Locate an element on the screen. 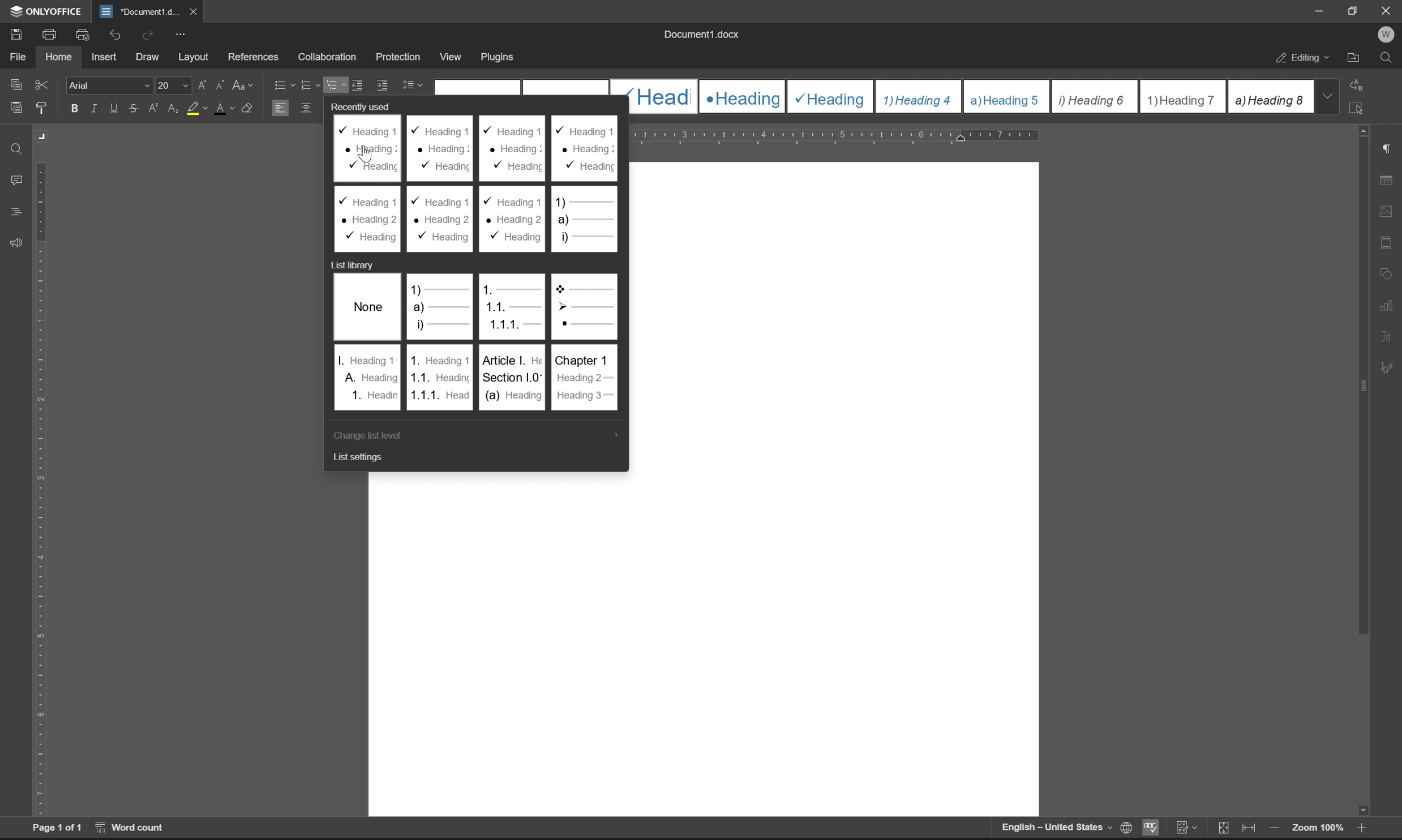 The height and width of the screenshot is (840, 1402). Heading 3 is located at coordinates (831, 97).